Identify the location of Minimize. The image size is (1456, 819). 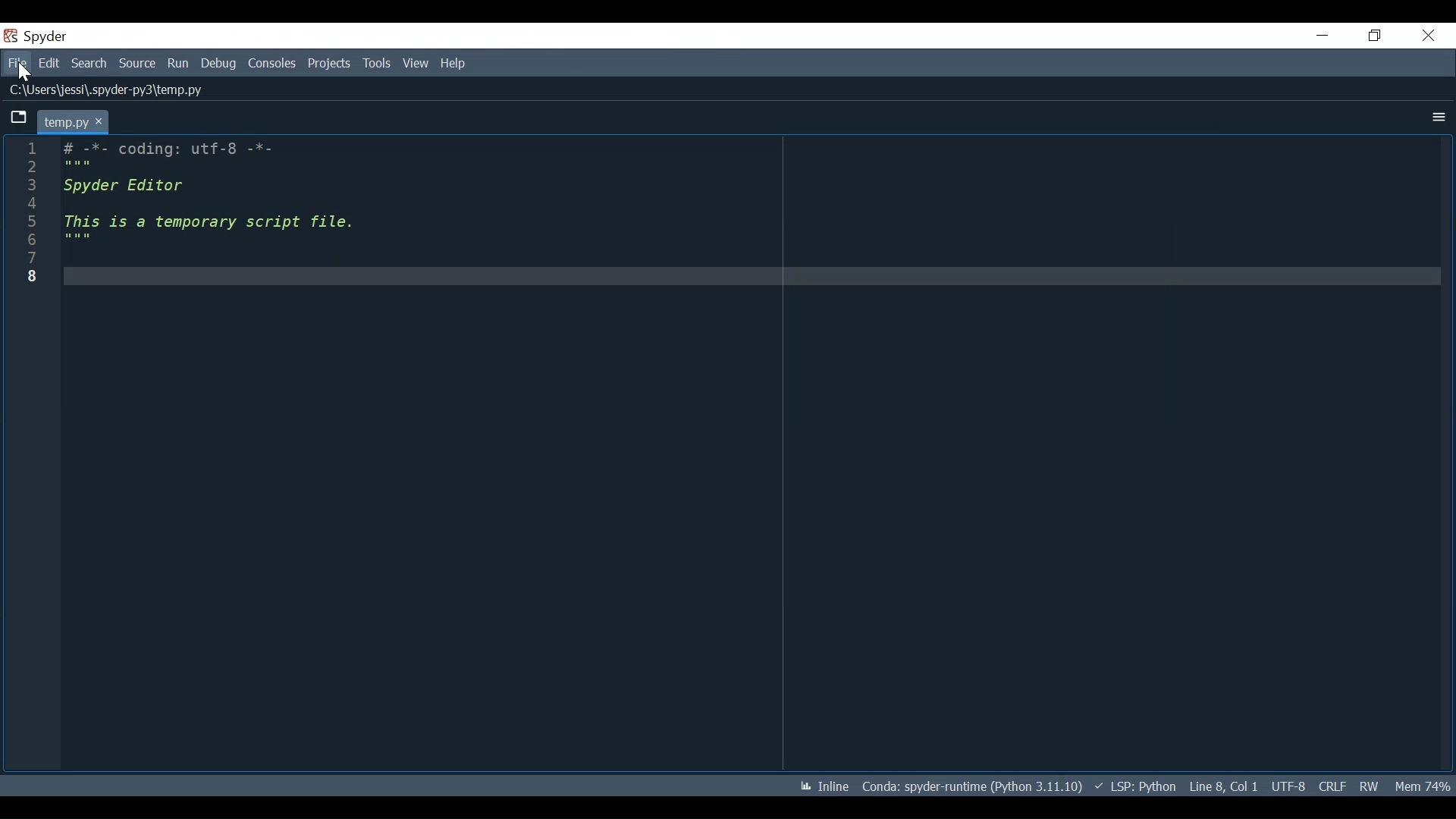
(1322, 35).